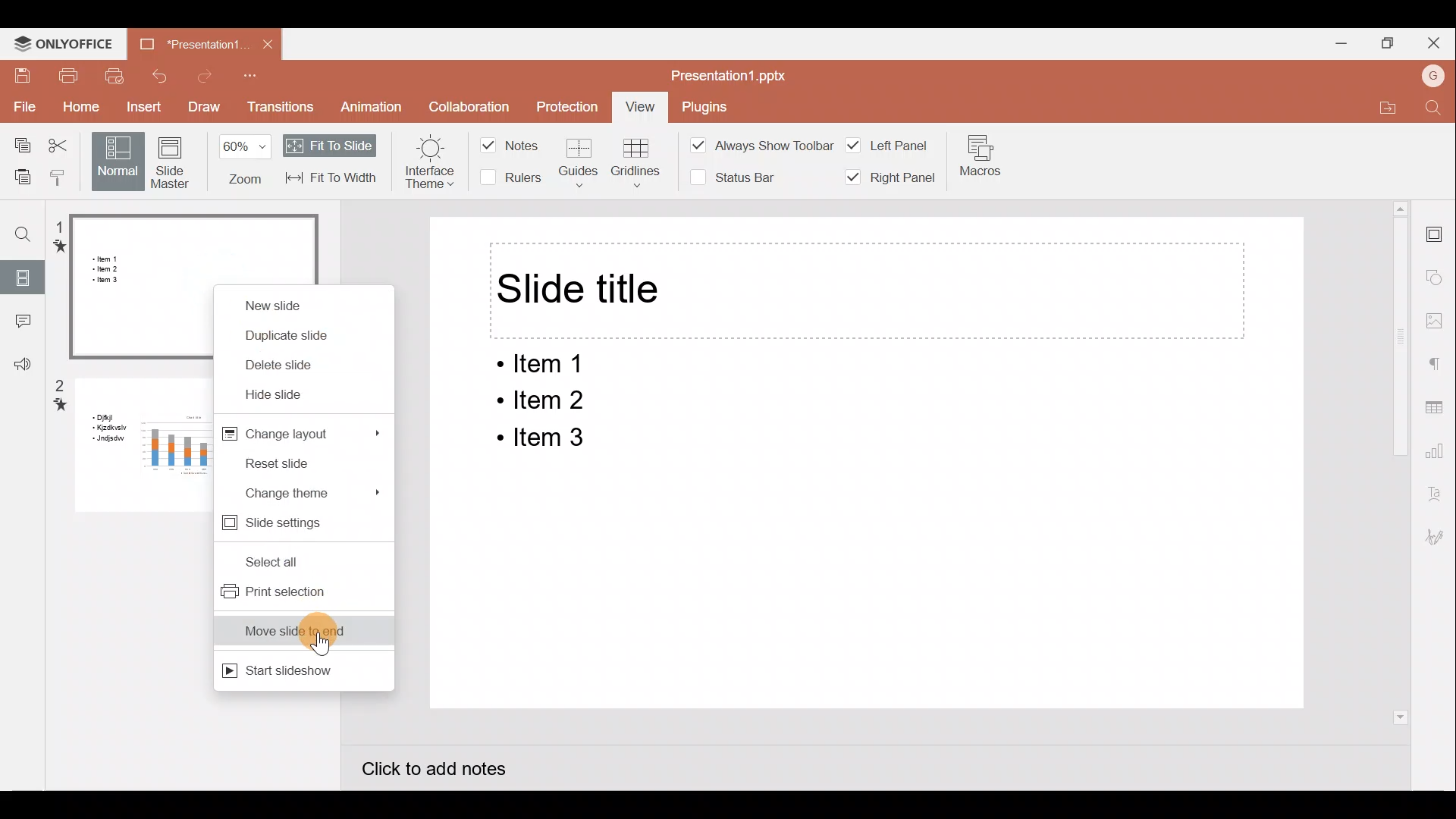 Image resolution: width=1456 pixels, height=819 pixels. What do you see at coordinates (304, 362) in the screenshot?
I see `Delete slide` at bounding box center [304, 362].